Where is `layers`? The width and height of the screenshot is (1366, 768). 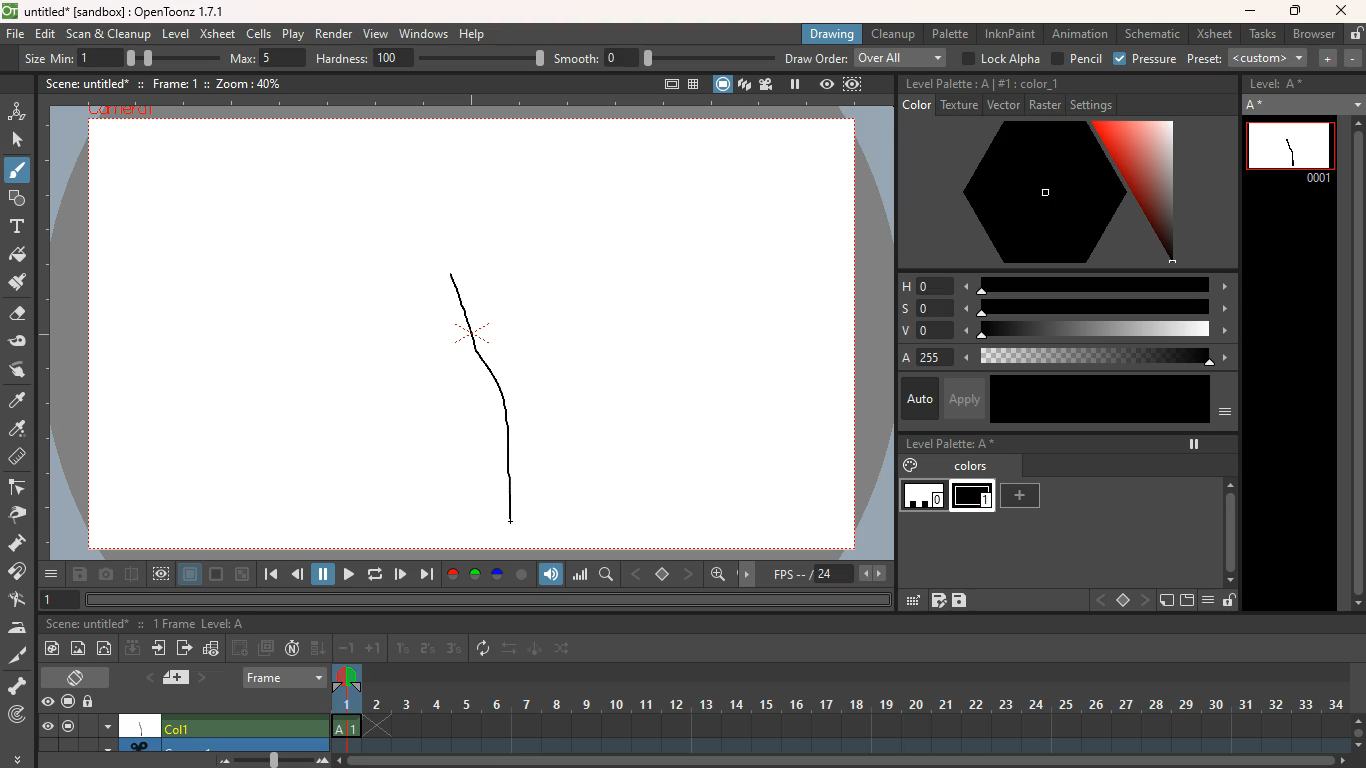 layers is located at coordinates (744, 86).